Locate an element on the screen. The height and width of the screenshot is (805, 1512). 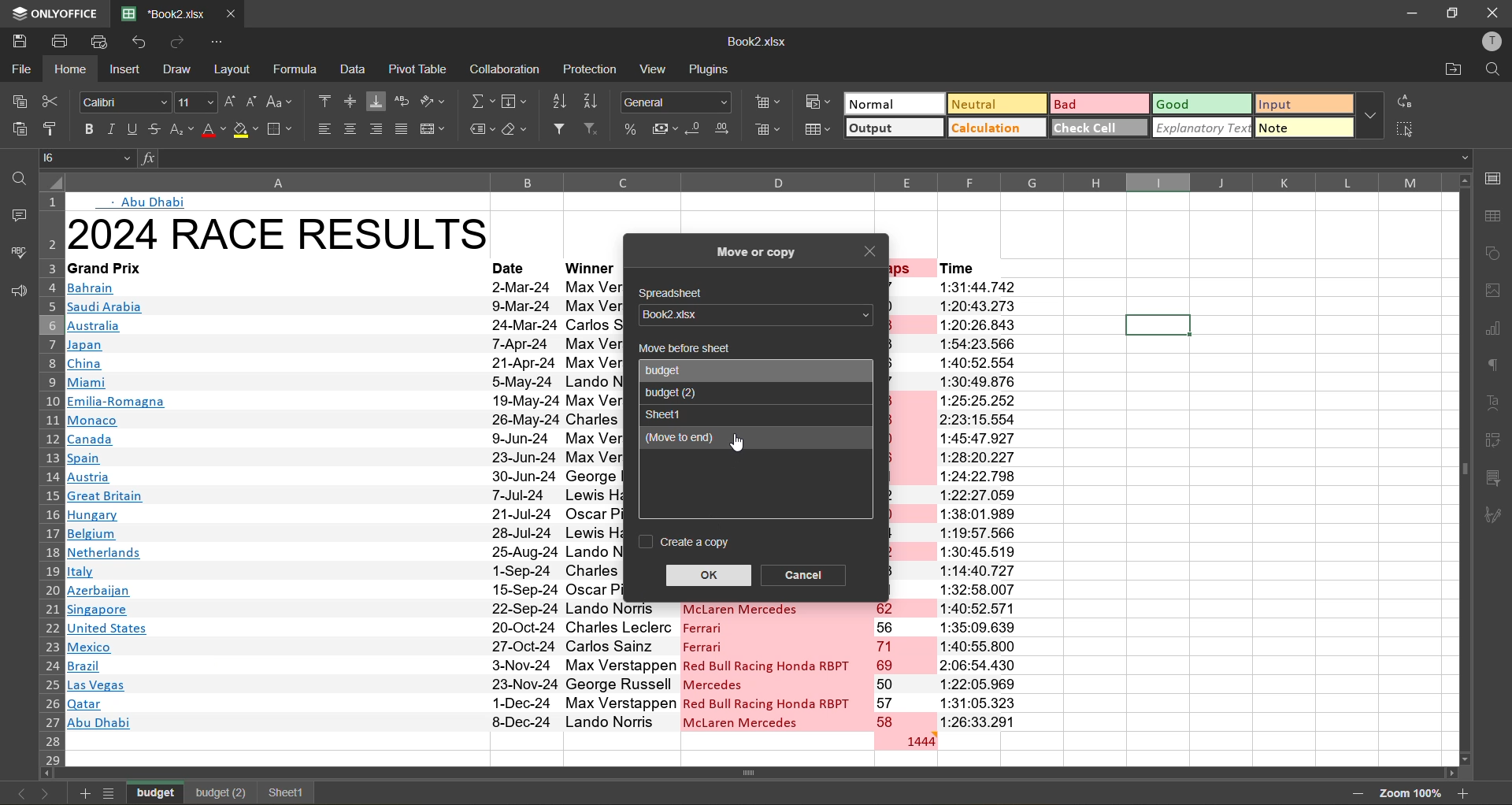
formula bar is located at coordinates (802, 158).